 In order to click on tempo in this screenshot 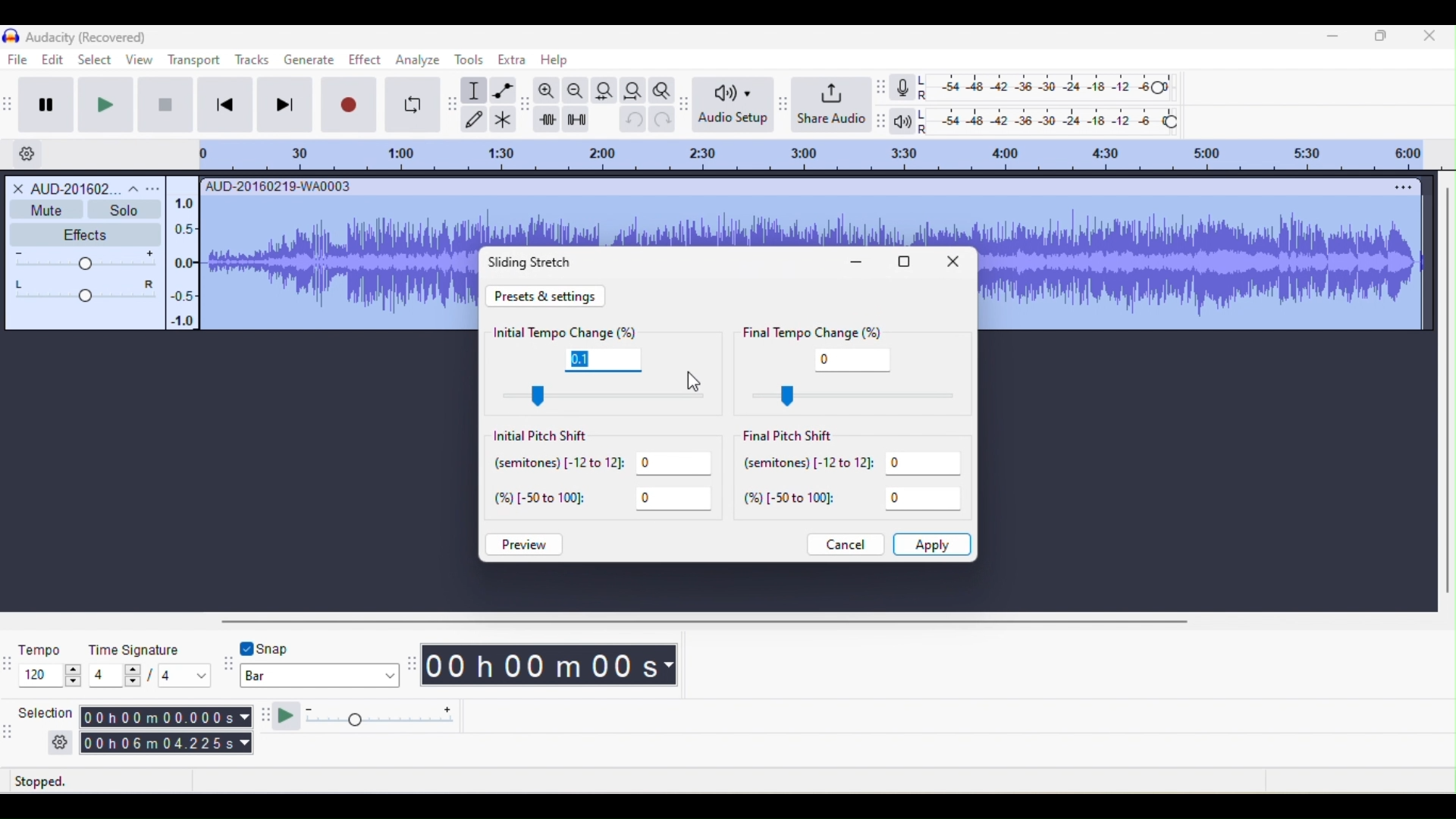, I will do `click(49, 663)`.